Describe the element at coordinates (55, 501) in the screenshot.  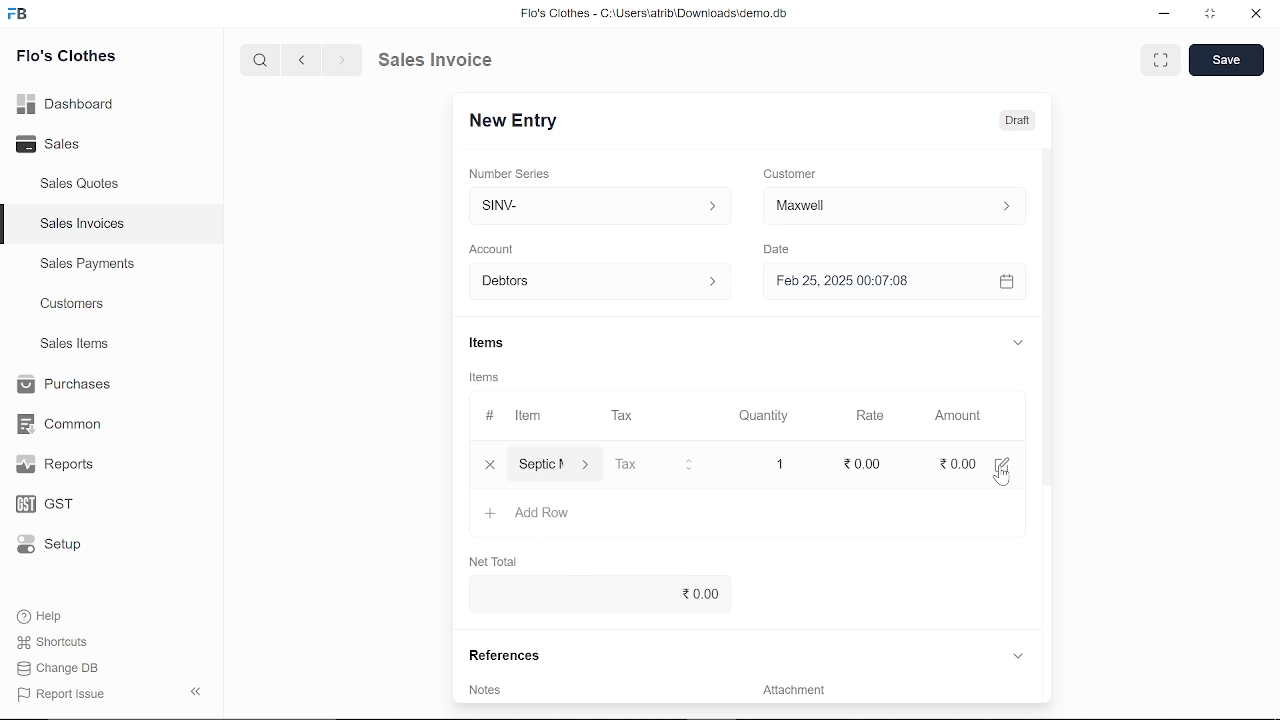
I see `GST` at that location.